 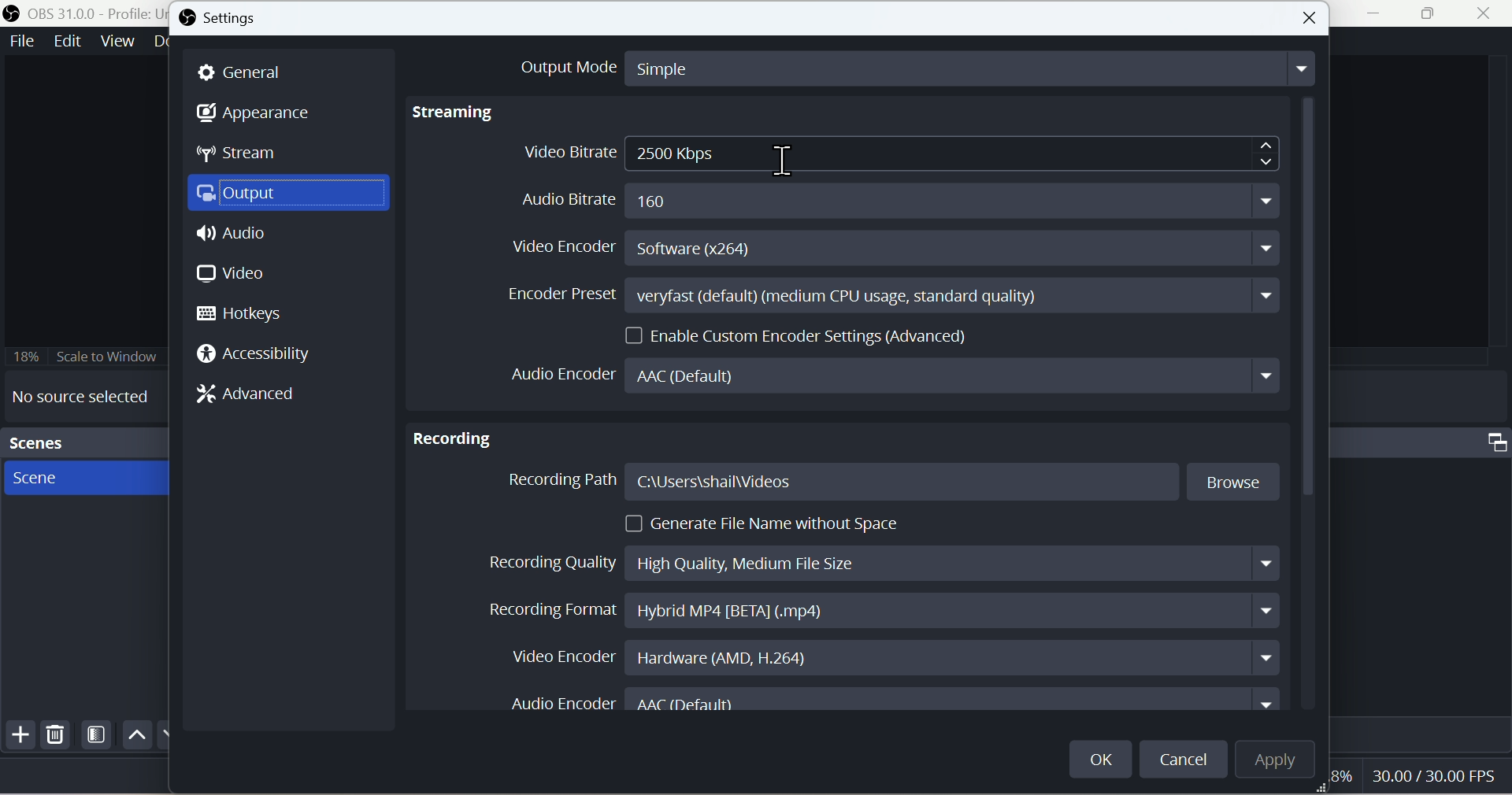 I want to click on Recording, so click(x=453, y=434).